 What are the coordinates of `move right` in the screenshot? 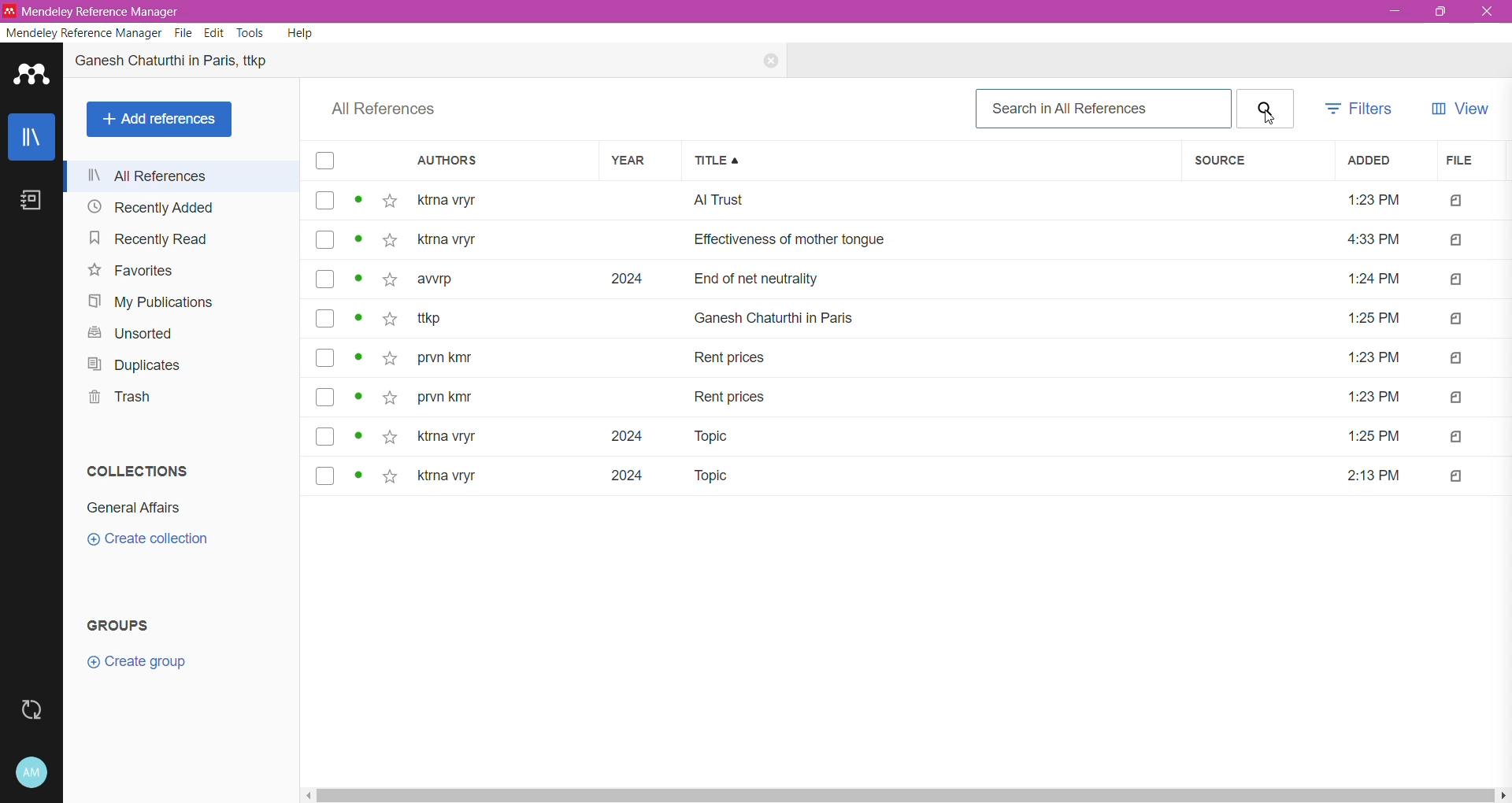 It's located at (1503, 794).